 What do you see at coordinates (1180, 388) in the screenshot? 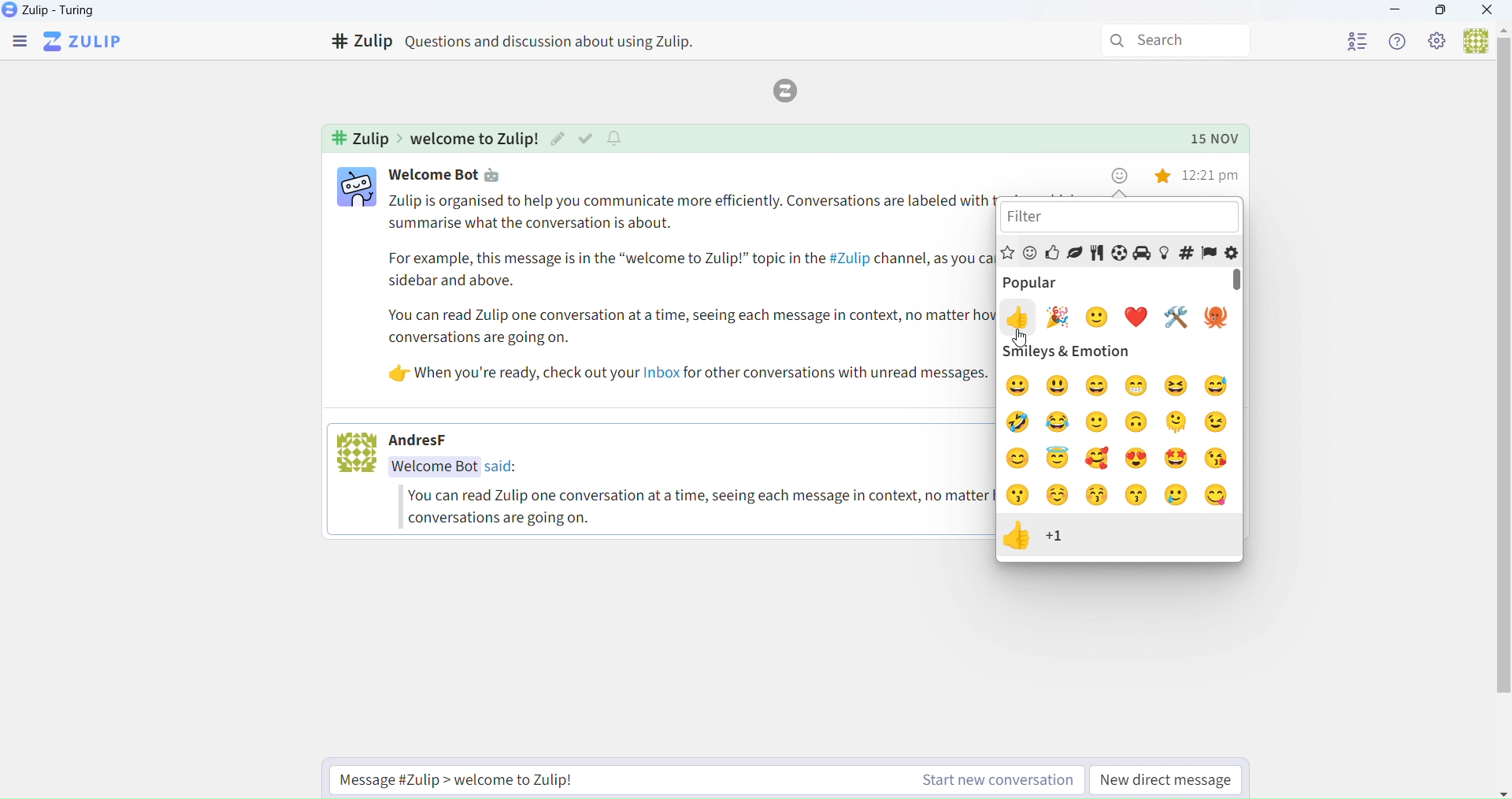
I see `laugh` at bounding box center [1180, 388].